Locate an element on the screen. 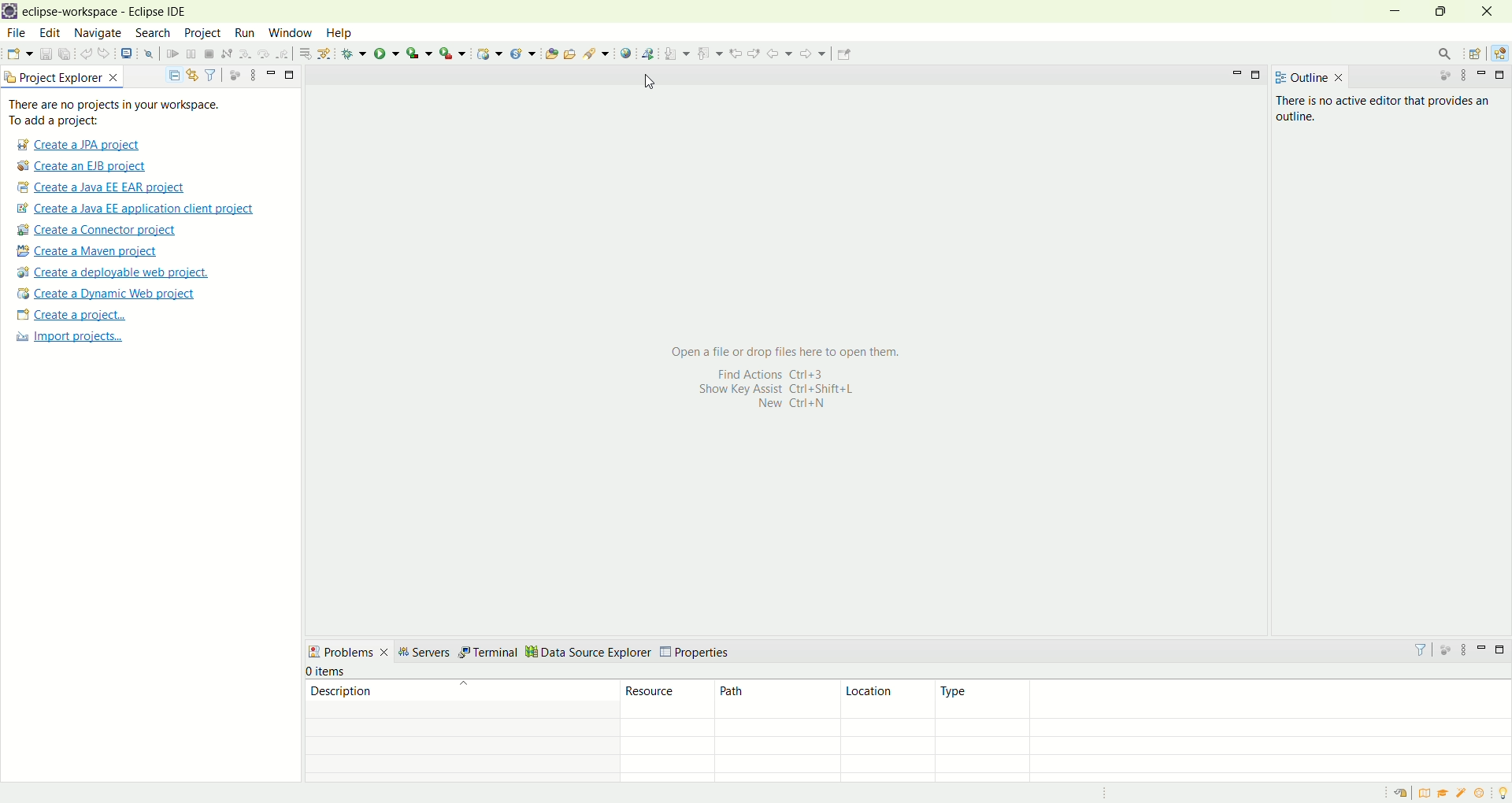 Image resolution: width=1512 pixels, height=803 pixels. disconnect is located at coordinates (225, 54).